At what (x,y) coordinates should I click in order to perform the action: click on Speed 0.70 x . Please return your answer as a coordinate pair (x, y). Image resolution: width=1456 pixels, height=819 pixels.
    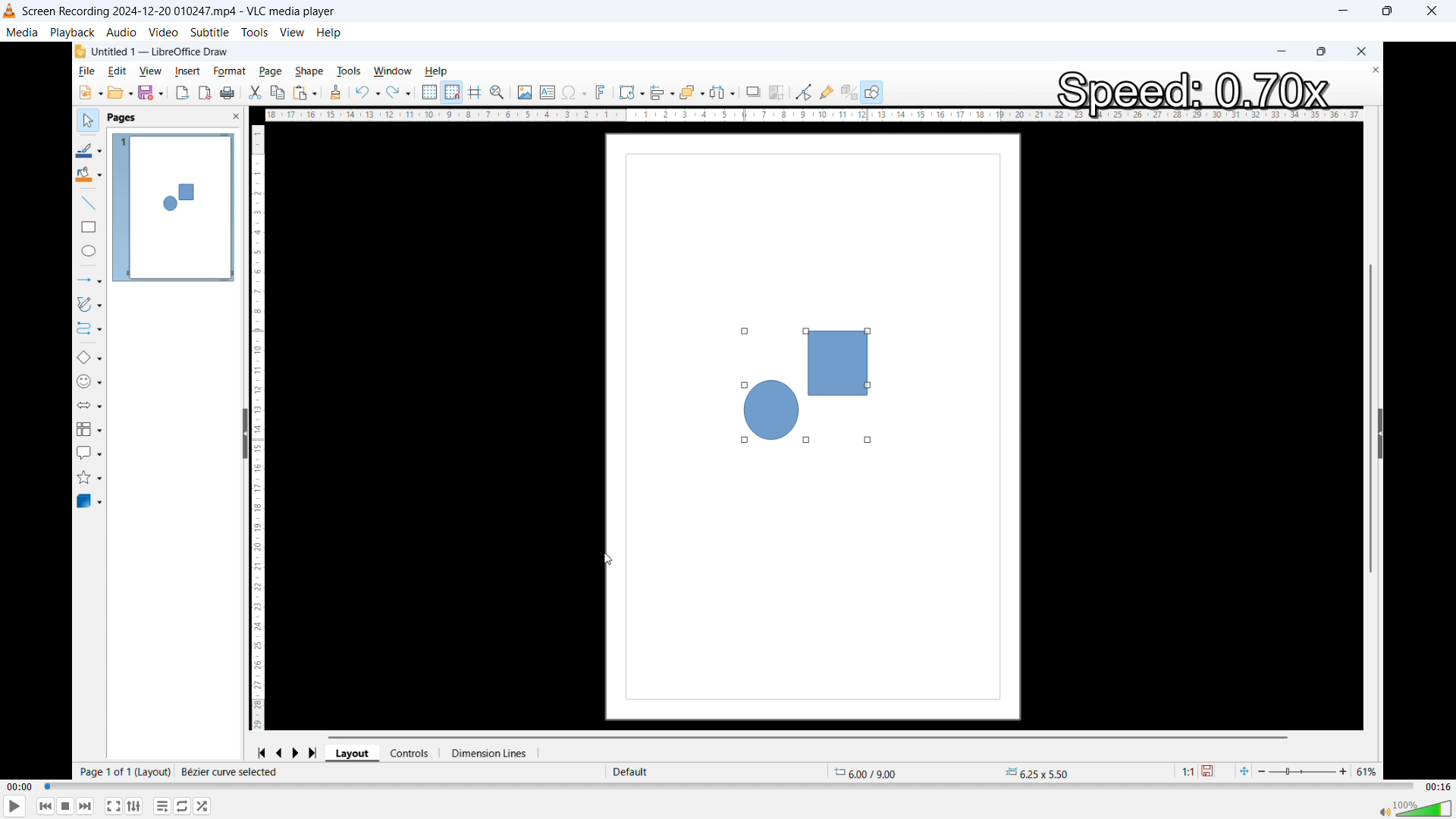
    Looking at the image, I should click on (1191, 93).